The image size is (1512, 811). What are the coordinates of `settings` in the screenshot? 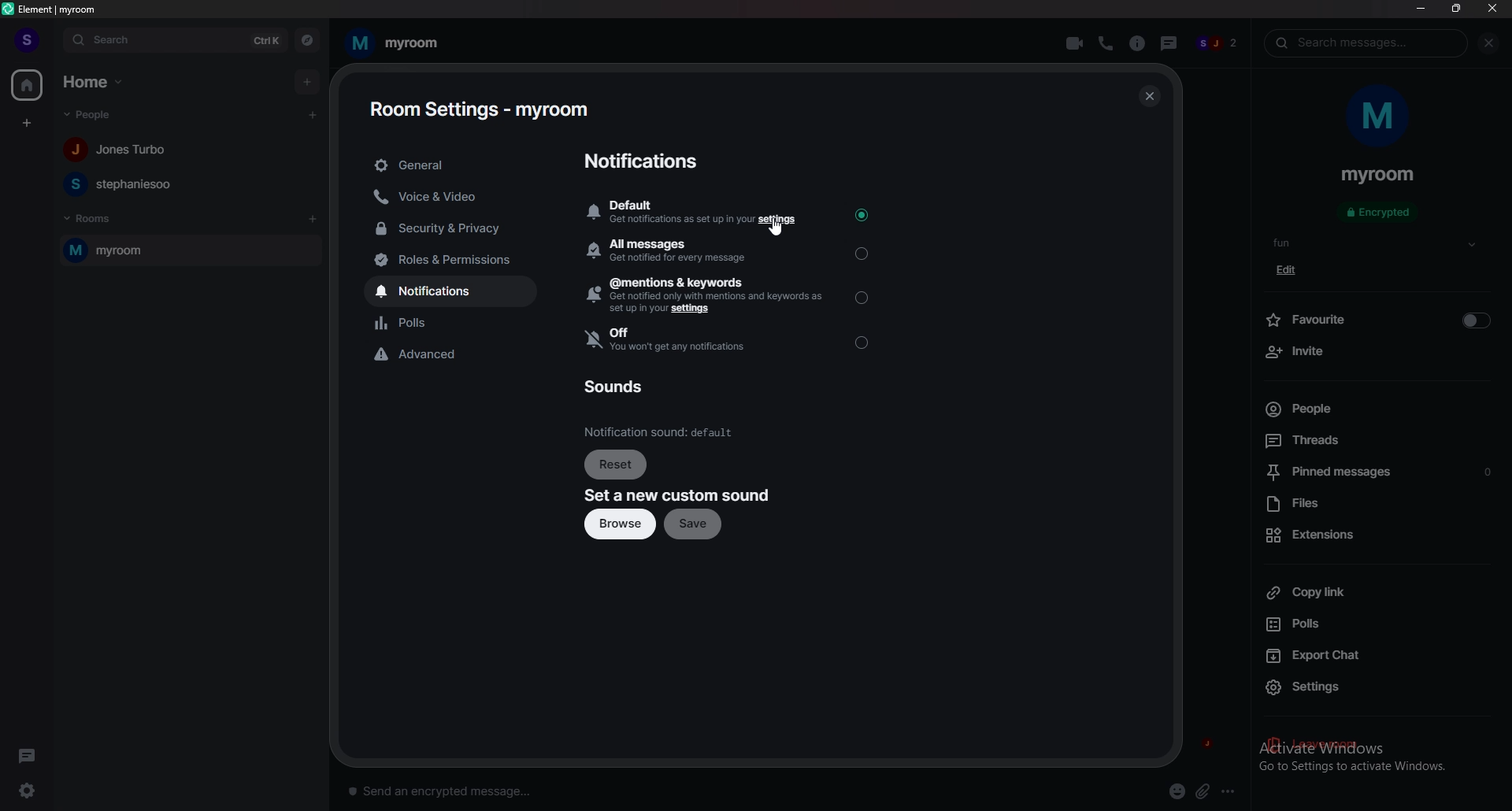 It's located at (1380, 688).